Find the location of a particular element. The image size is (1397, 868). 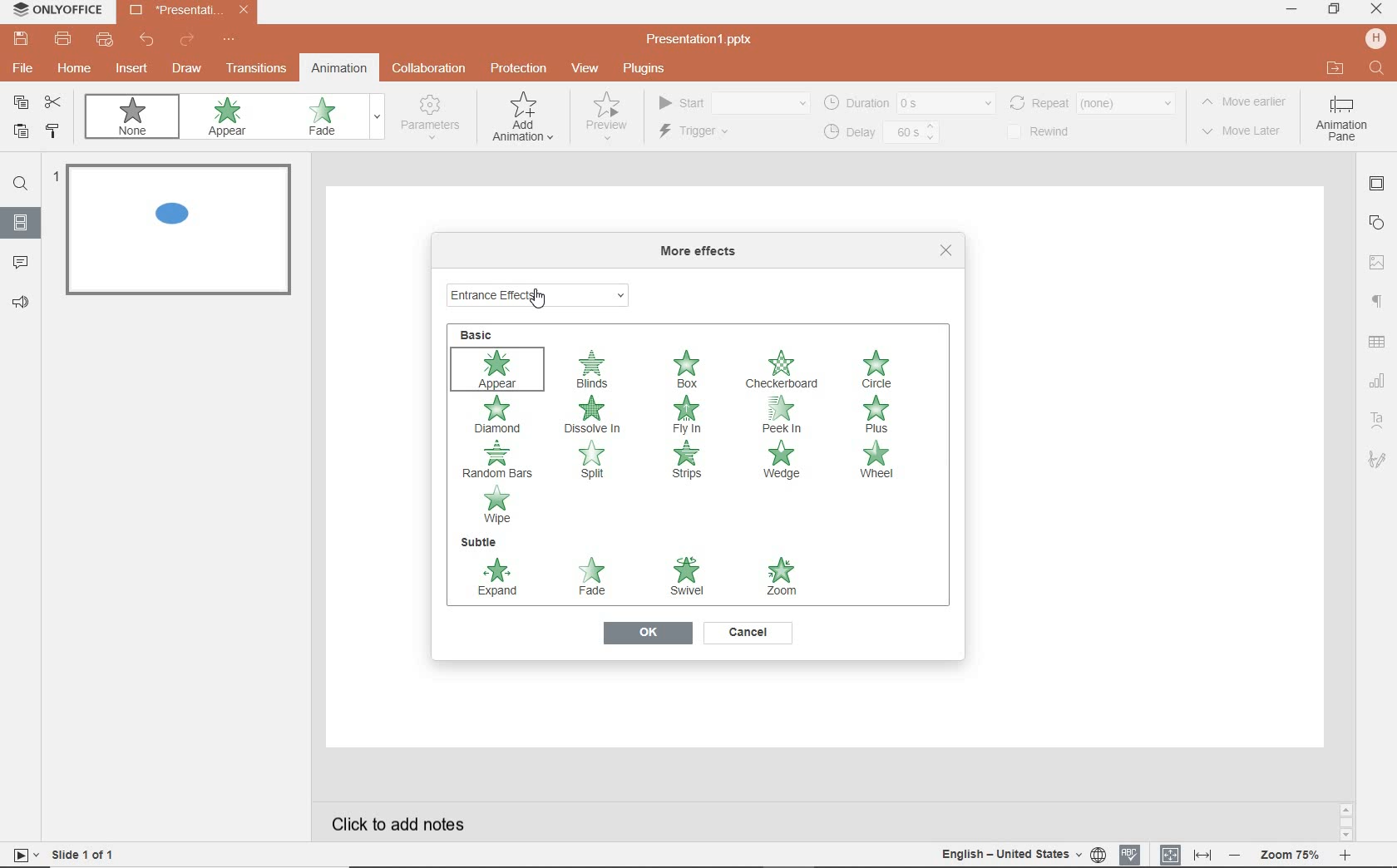

HP is located at coordinates (1375, 40).